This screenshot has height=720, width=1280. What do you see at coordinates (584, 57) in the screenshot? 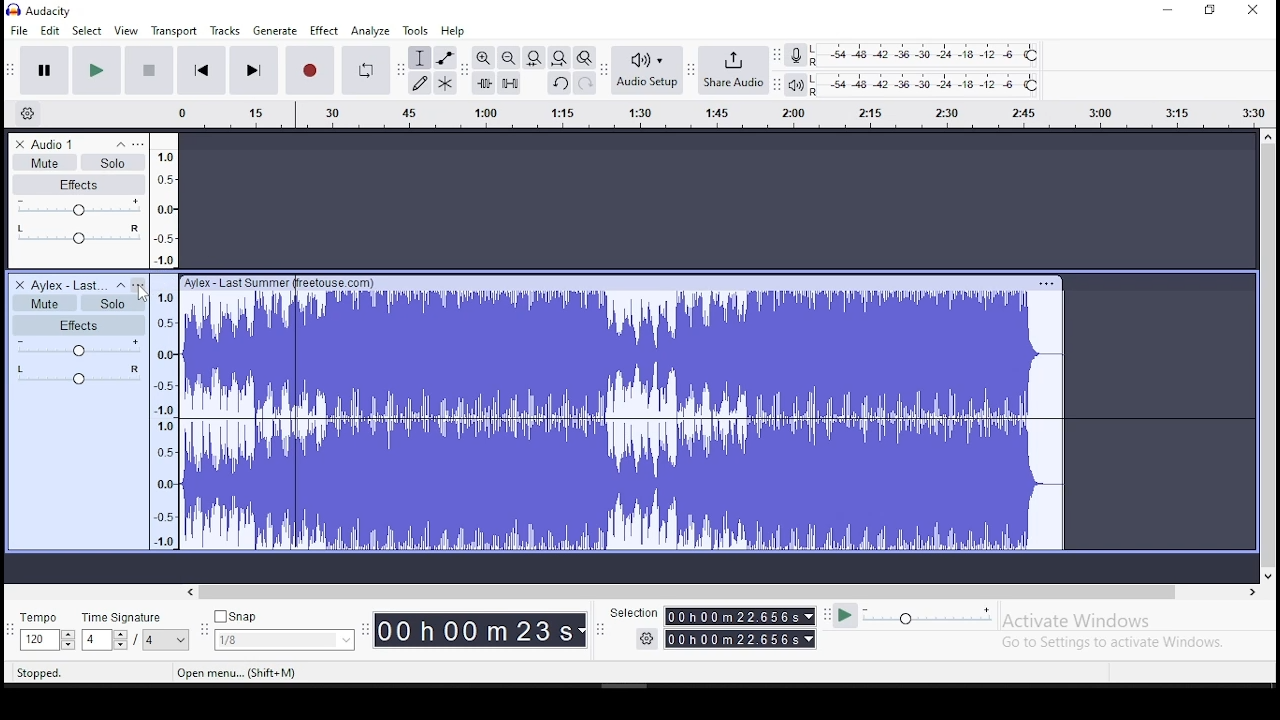
I see `zoom toggle` at bounding box center [584, 57].